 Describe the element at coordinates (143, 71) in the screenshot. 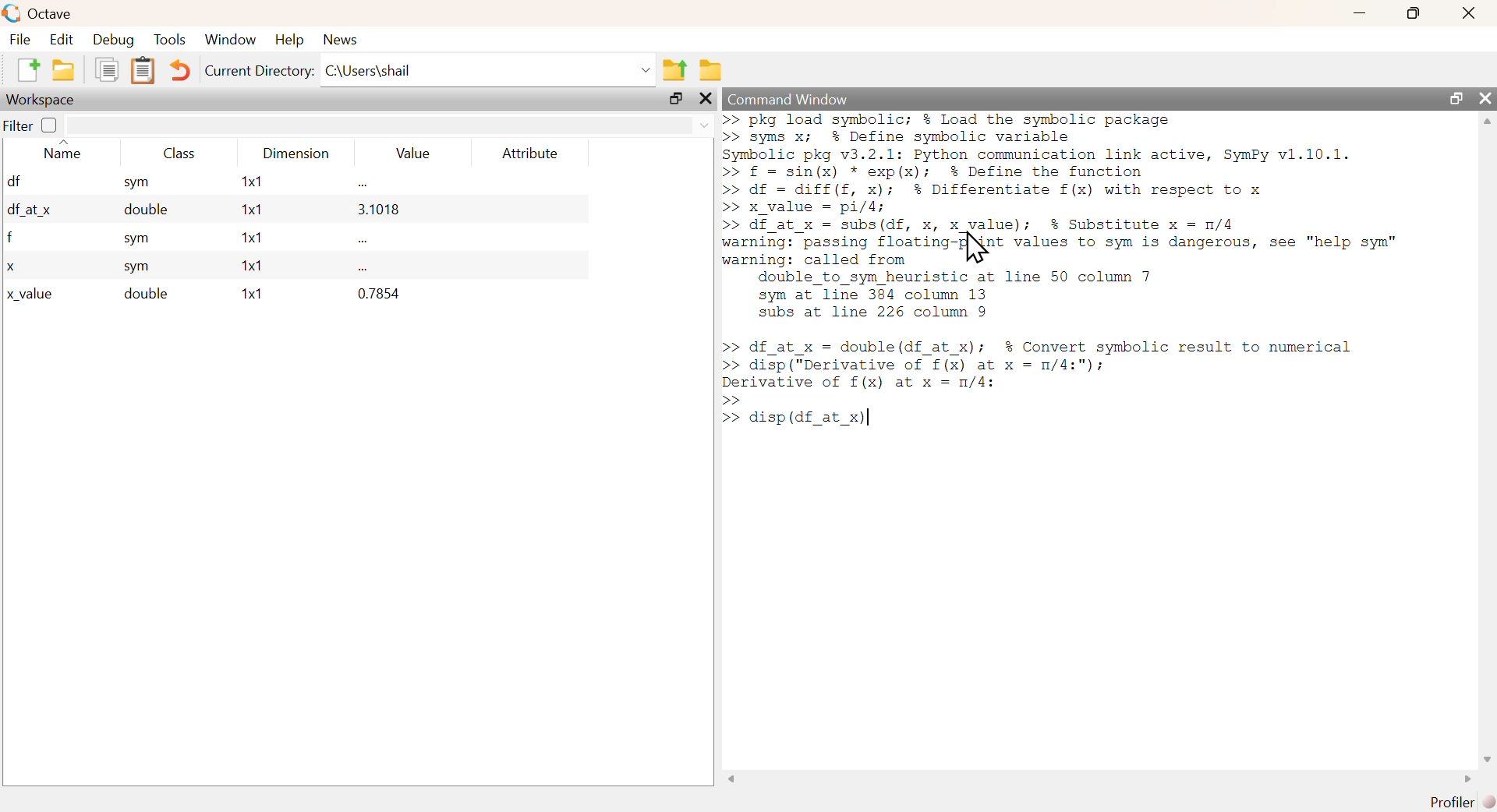

I see `Paste` at that location.